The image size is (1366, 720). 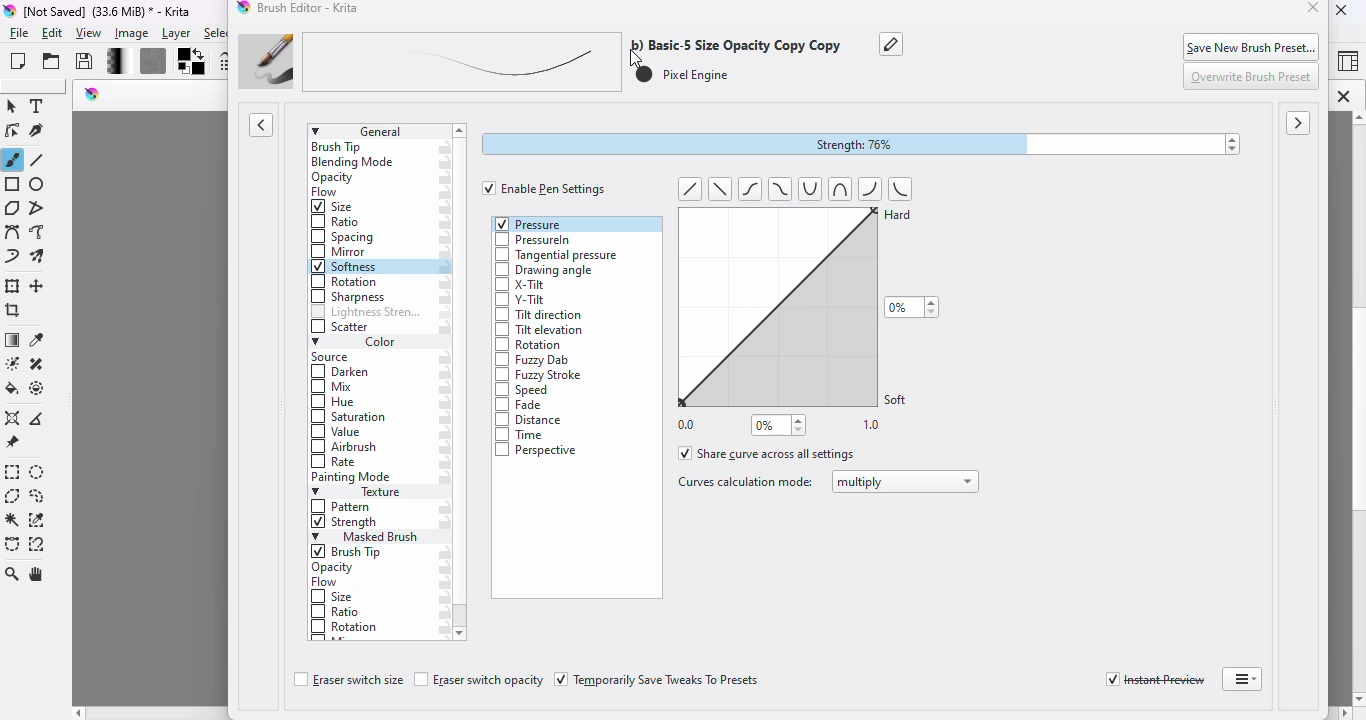 I want to click on temporarily save tweaks to presets, so click(x=659, y=680).